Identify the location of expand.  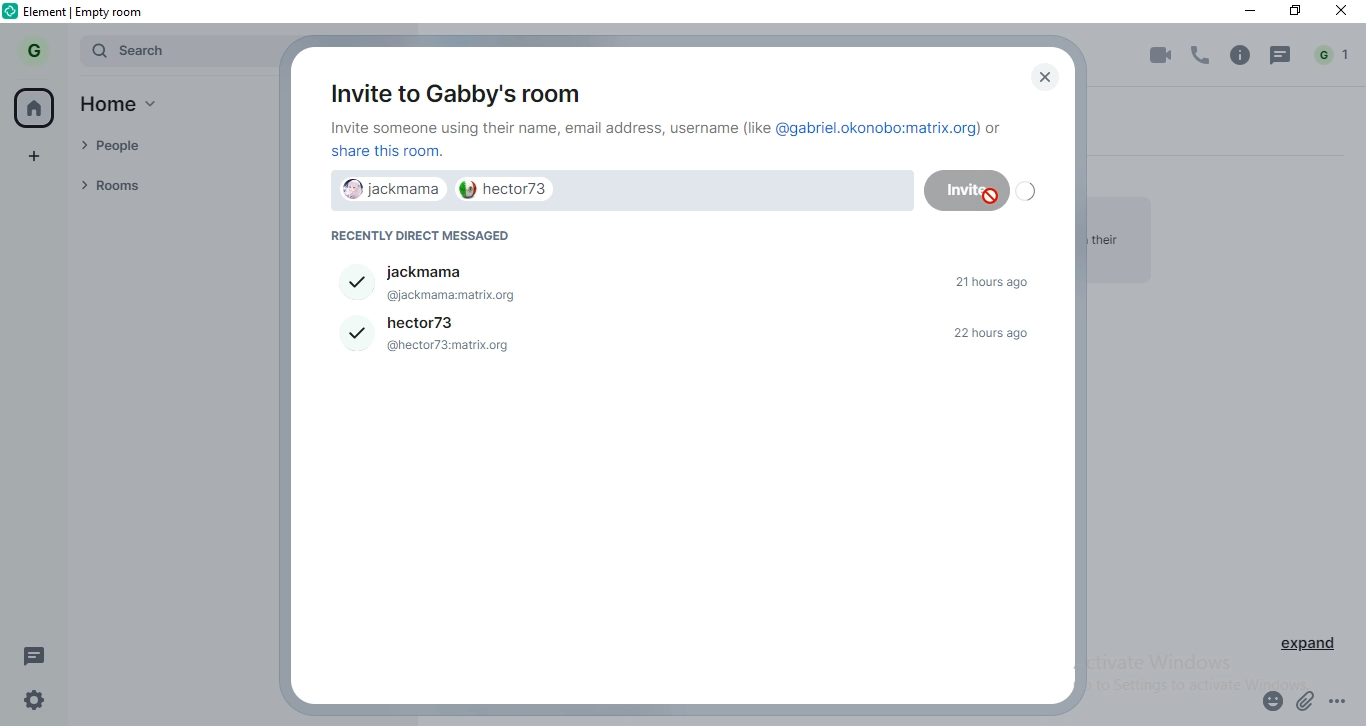
(1310, 647).